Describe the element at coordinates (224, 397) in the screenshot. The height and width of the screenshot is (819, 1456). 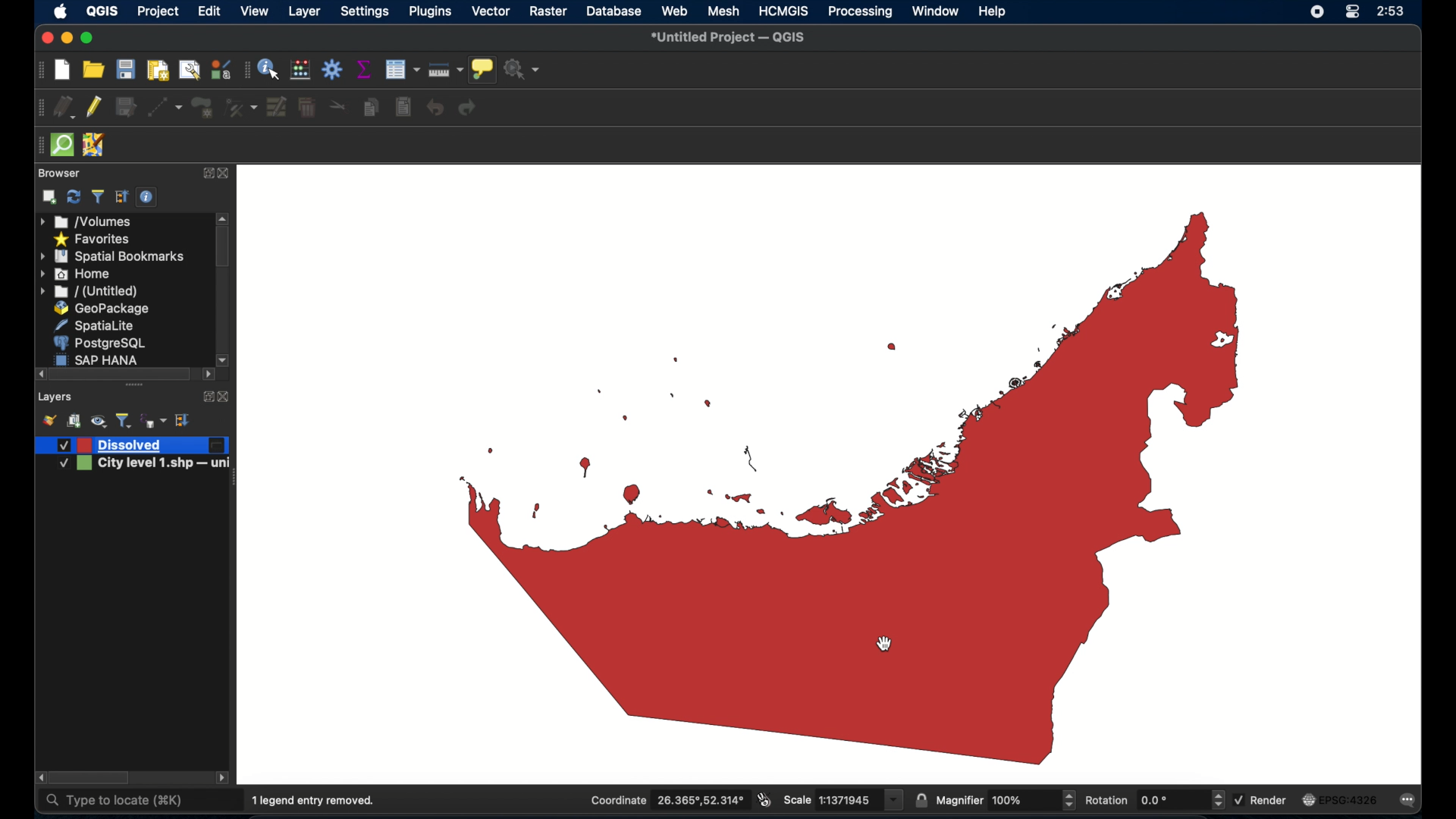
I see `close` at that location.